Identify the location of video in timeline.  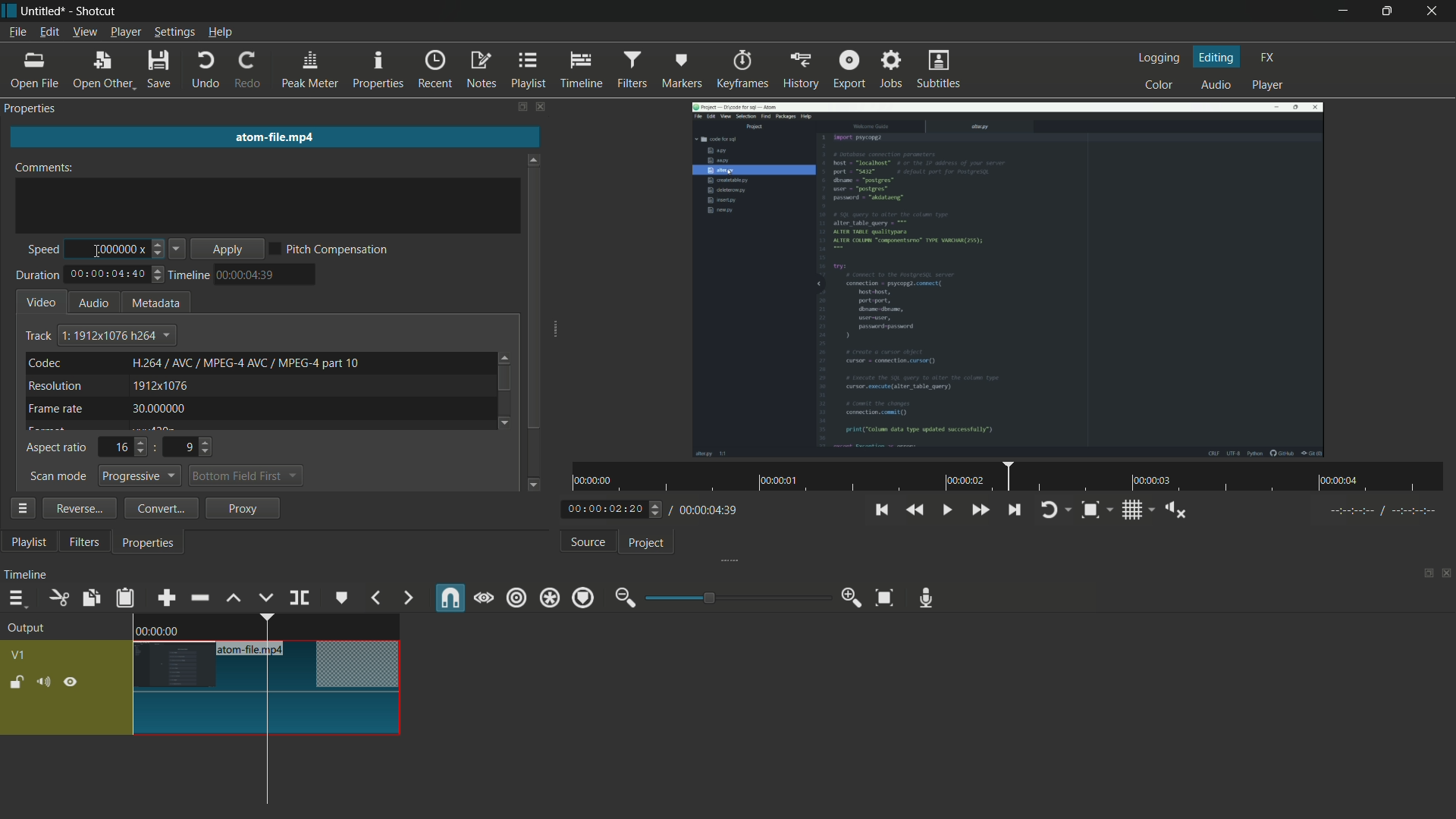
(268, 675).